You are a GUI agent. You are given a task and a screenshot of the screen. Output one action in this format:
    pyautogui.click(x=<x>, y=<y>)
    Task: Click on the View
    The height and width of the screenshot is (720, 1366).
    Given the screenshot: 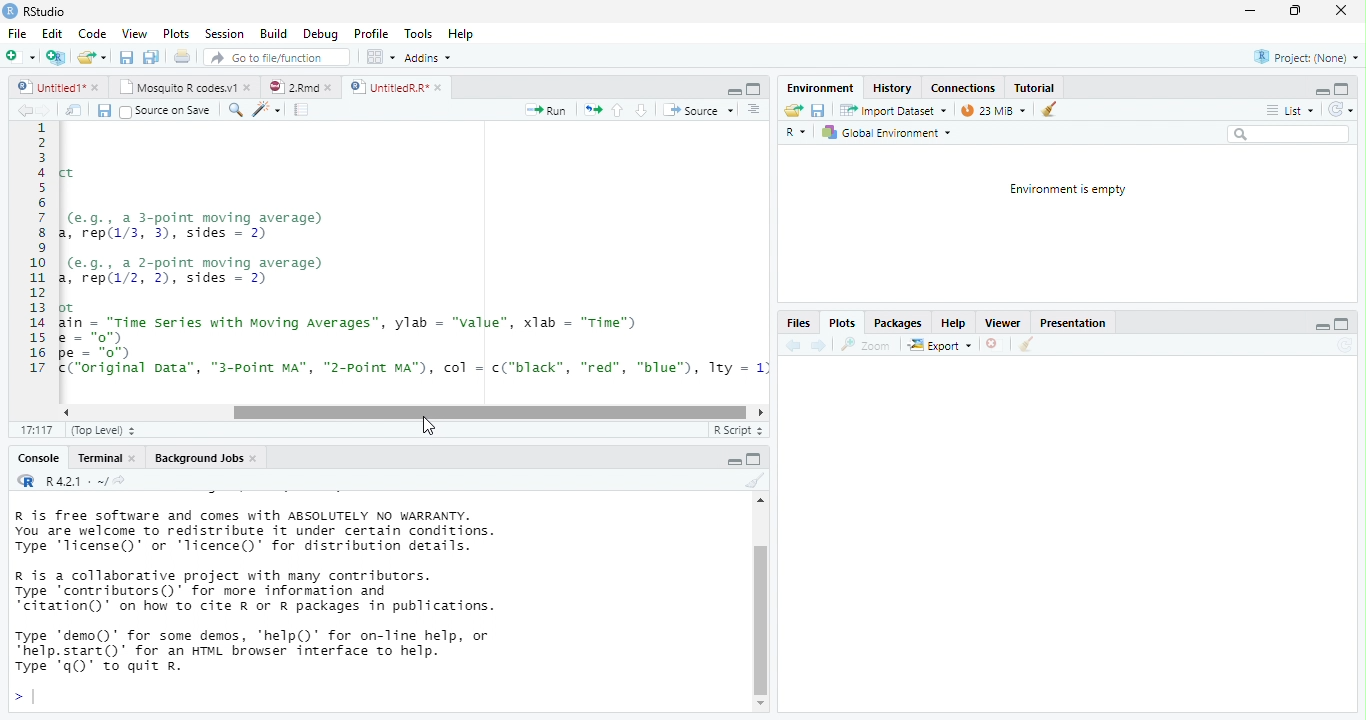 What is the action you would take?
    pyautogui.click(x=133, y=33)
    